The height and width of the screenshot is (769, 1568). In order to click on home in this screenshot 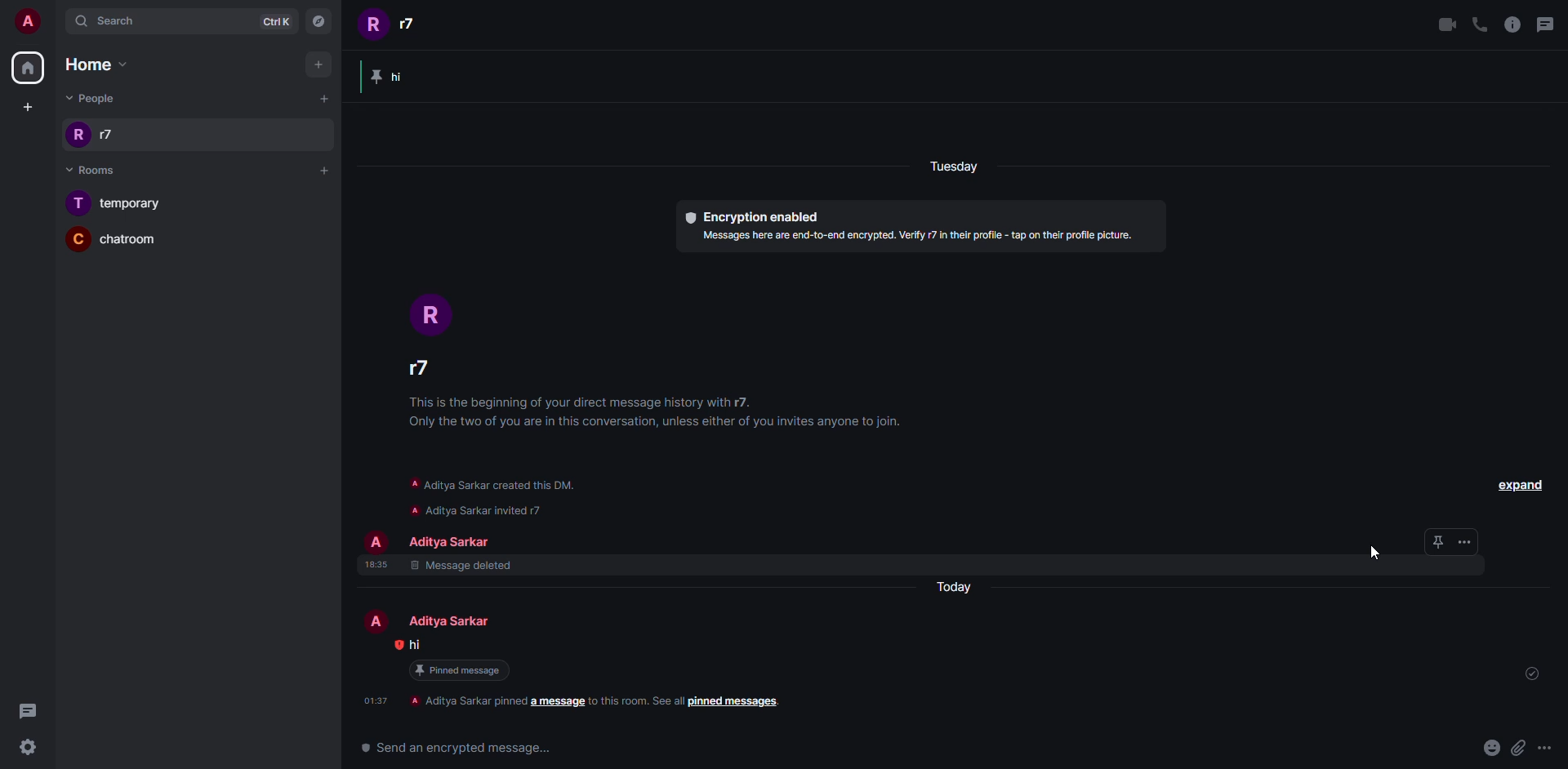, I will do `click(30, 68)`.